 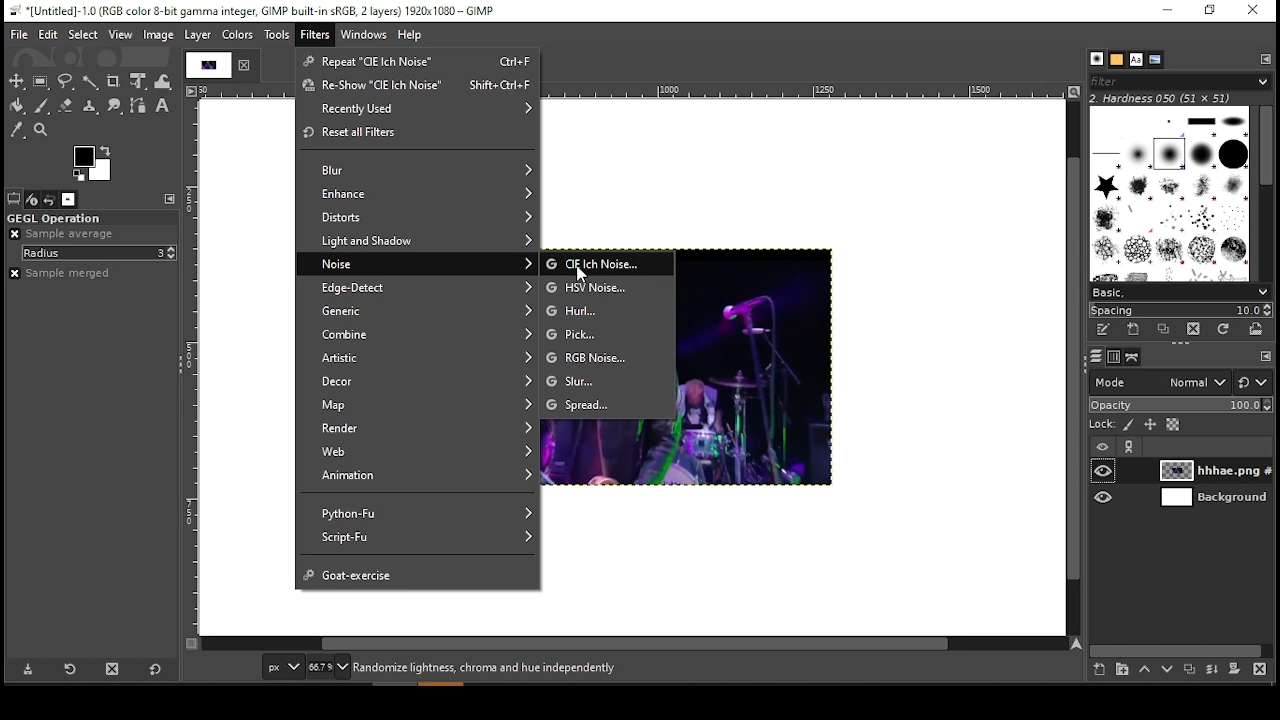 I want to click on help, so click(x=412, y=35).